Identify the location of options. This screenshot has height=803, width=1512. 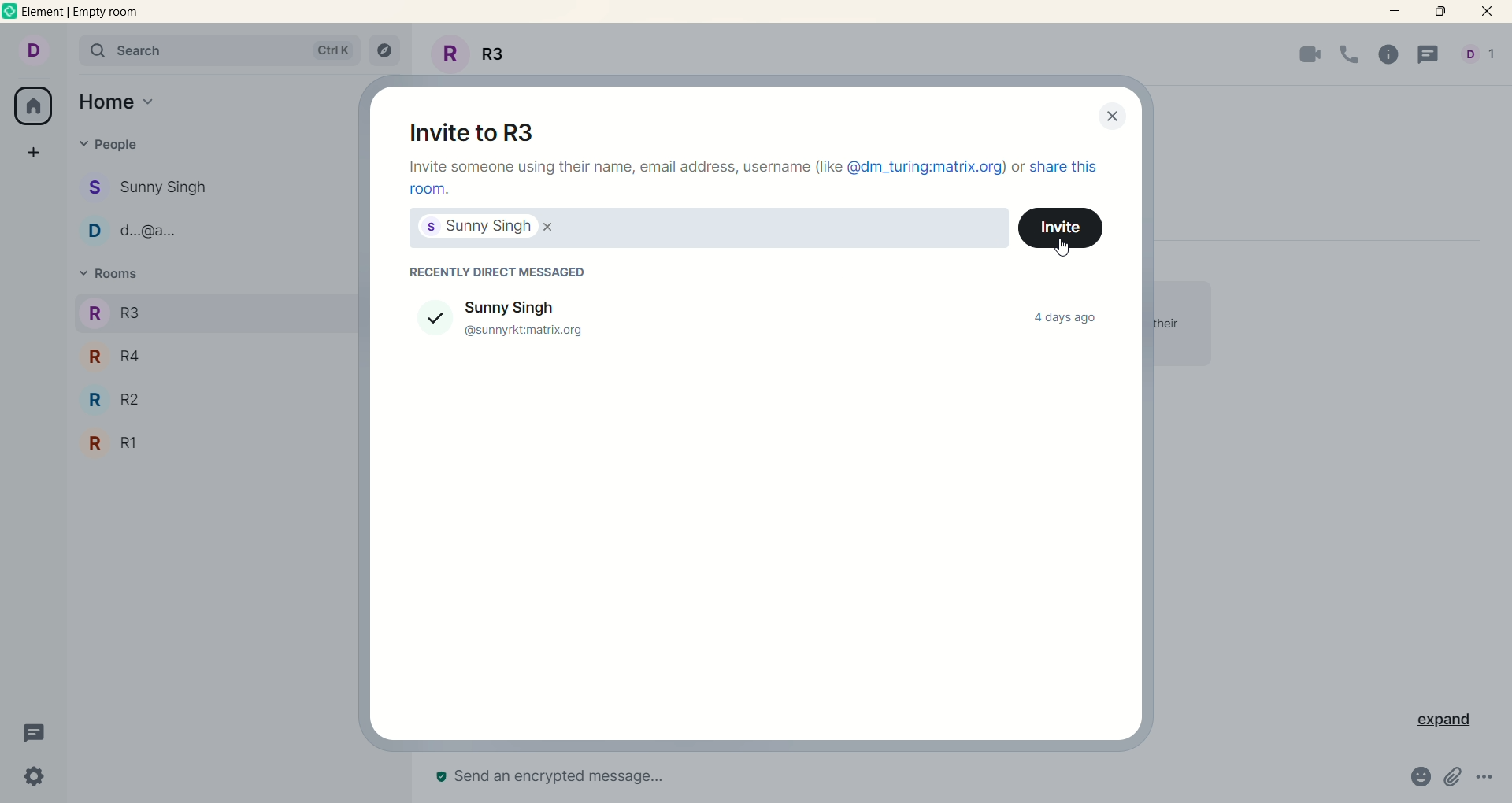
(1486, 782).